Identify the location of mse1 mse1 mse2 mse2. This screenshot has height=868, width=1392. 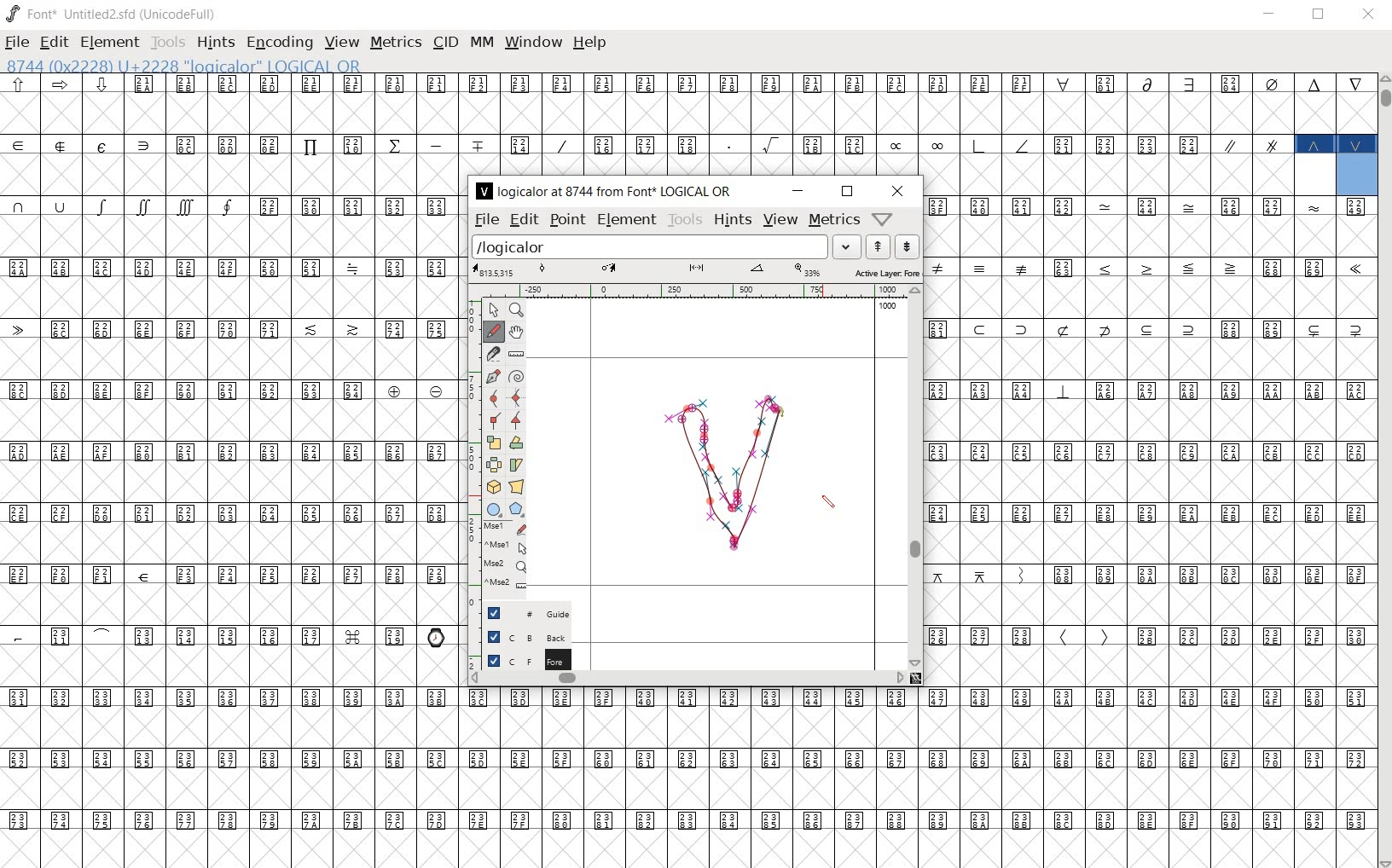
(500, 558).